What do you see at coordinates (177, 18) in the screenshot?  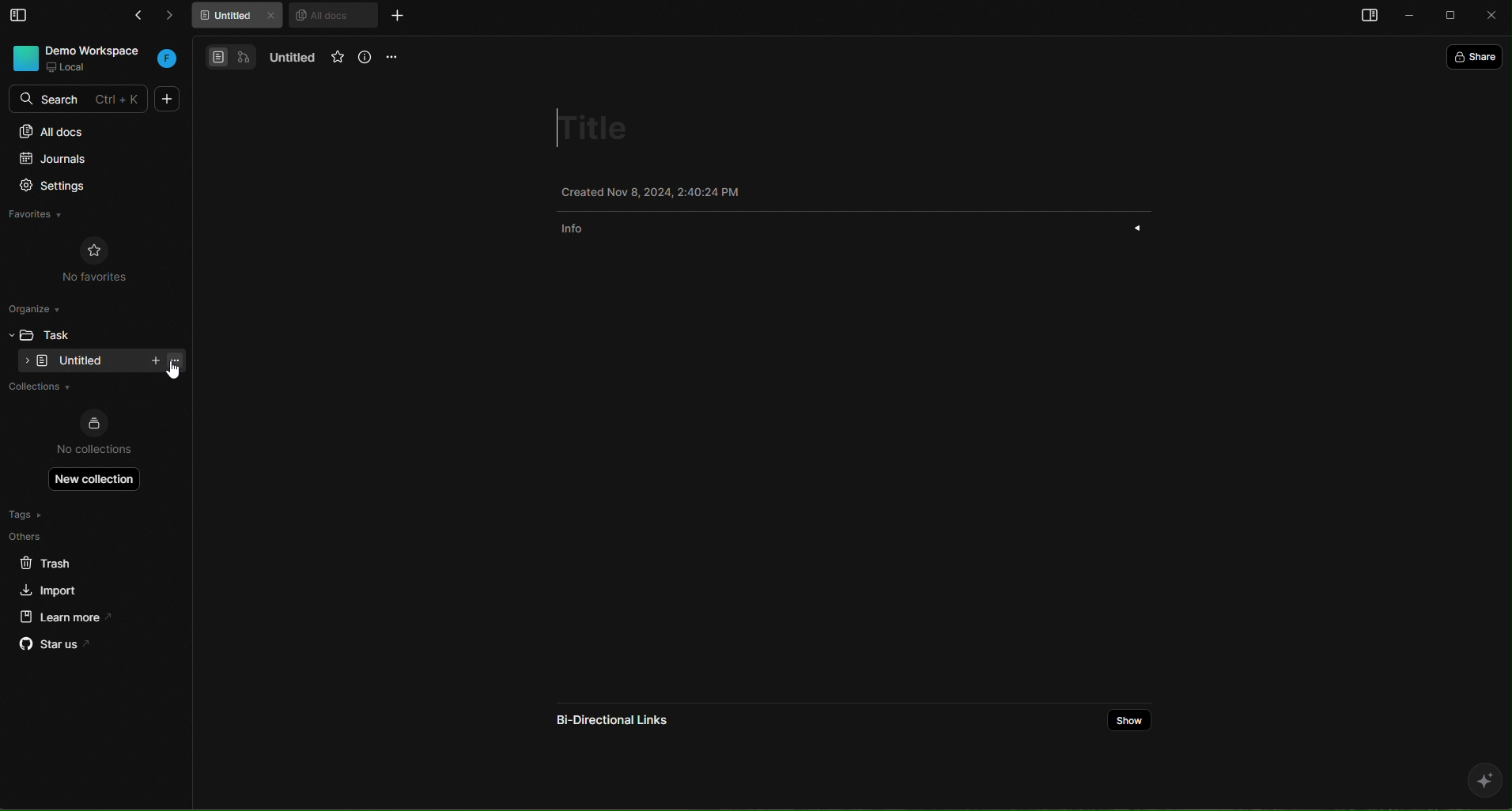 I see `forward` at bounding box center [177, 18].